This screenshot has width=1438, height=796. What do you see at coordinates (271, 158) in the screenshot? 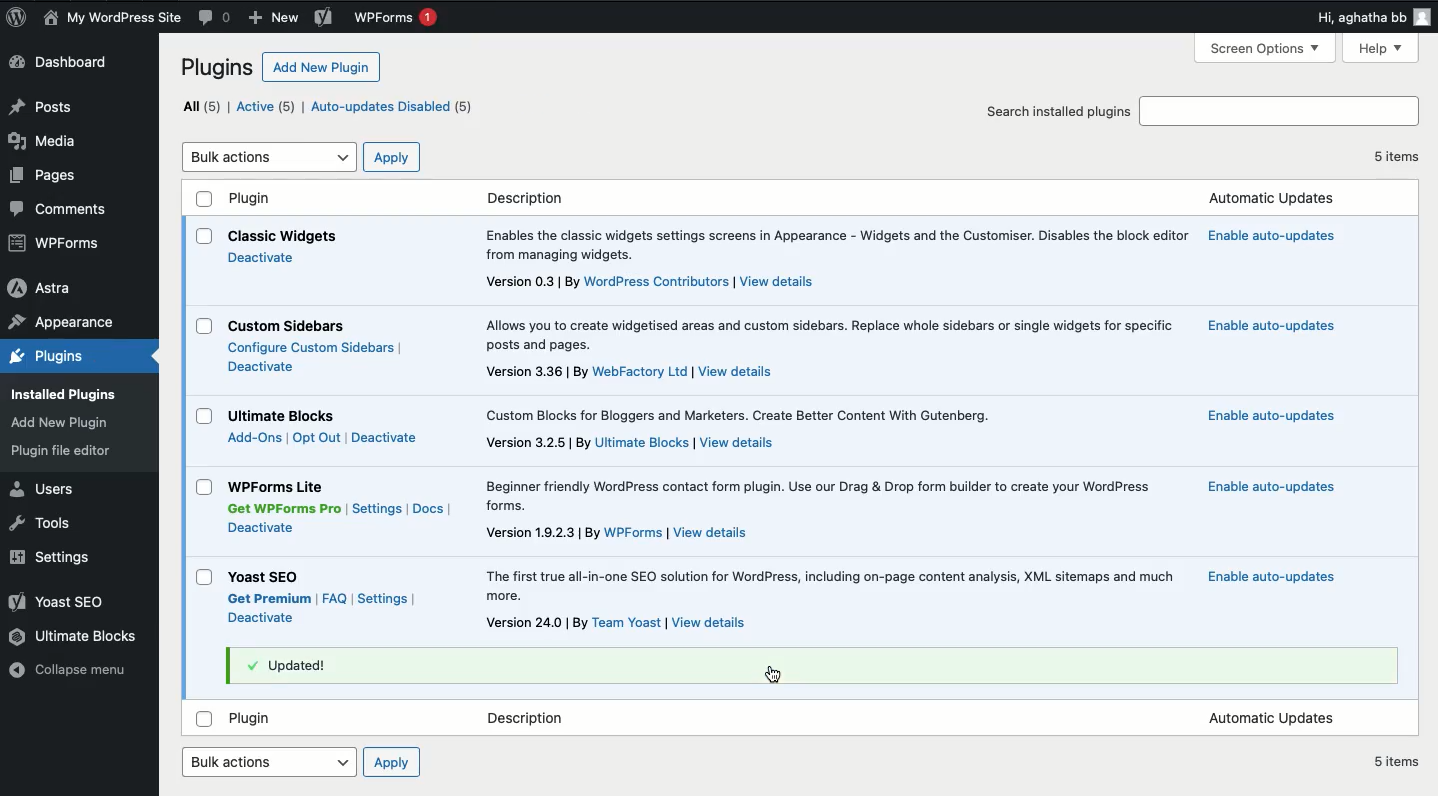
I see `Bulk actions` at bounding box center [271, 158].